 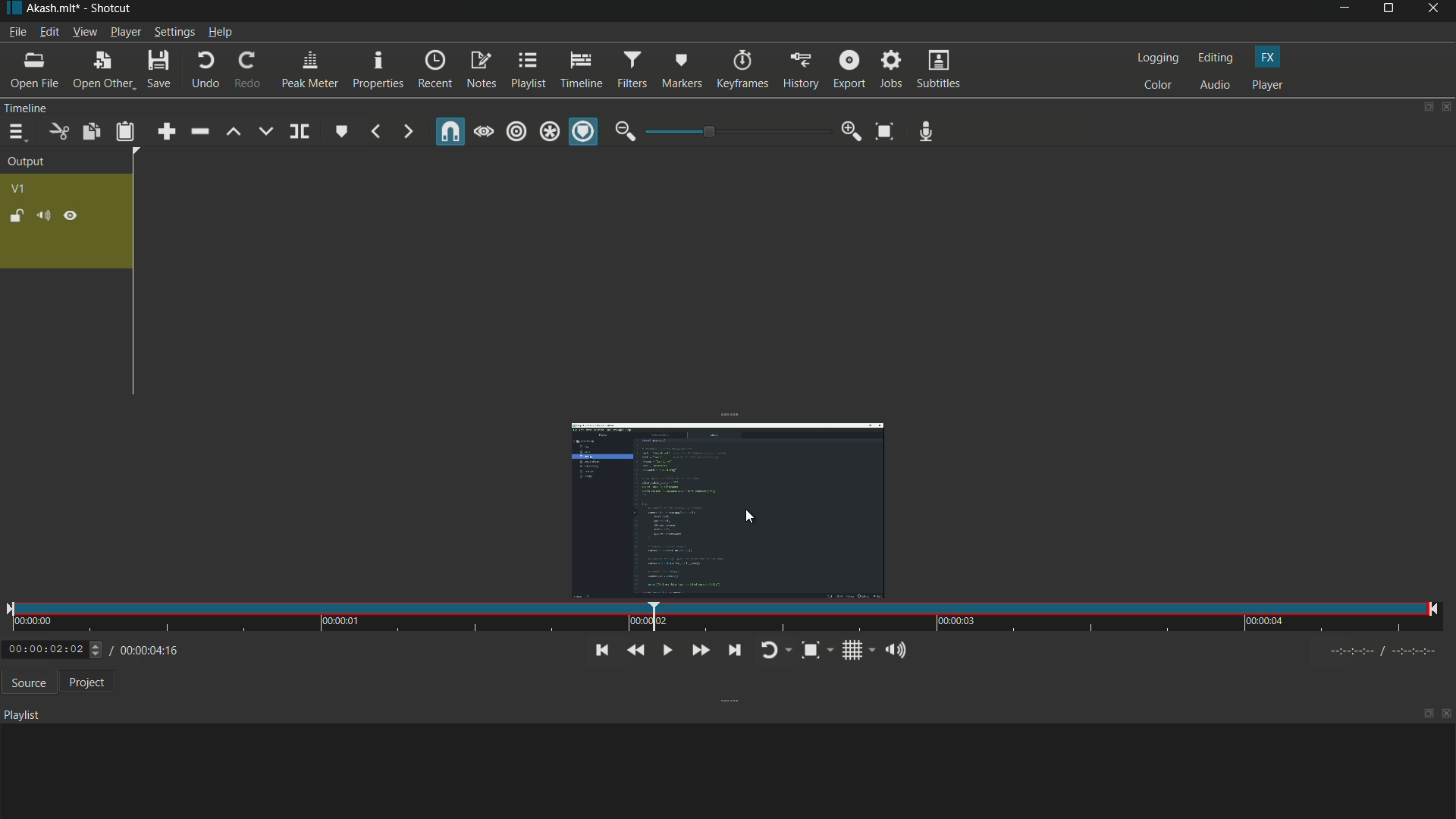 What do you see at coordinates (1390, 11) in the screenshot?
I see `maximize` at bounding box center [1390, 11].